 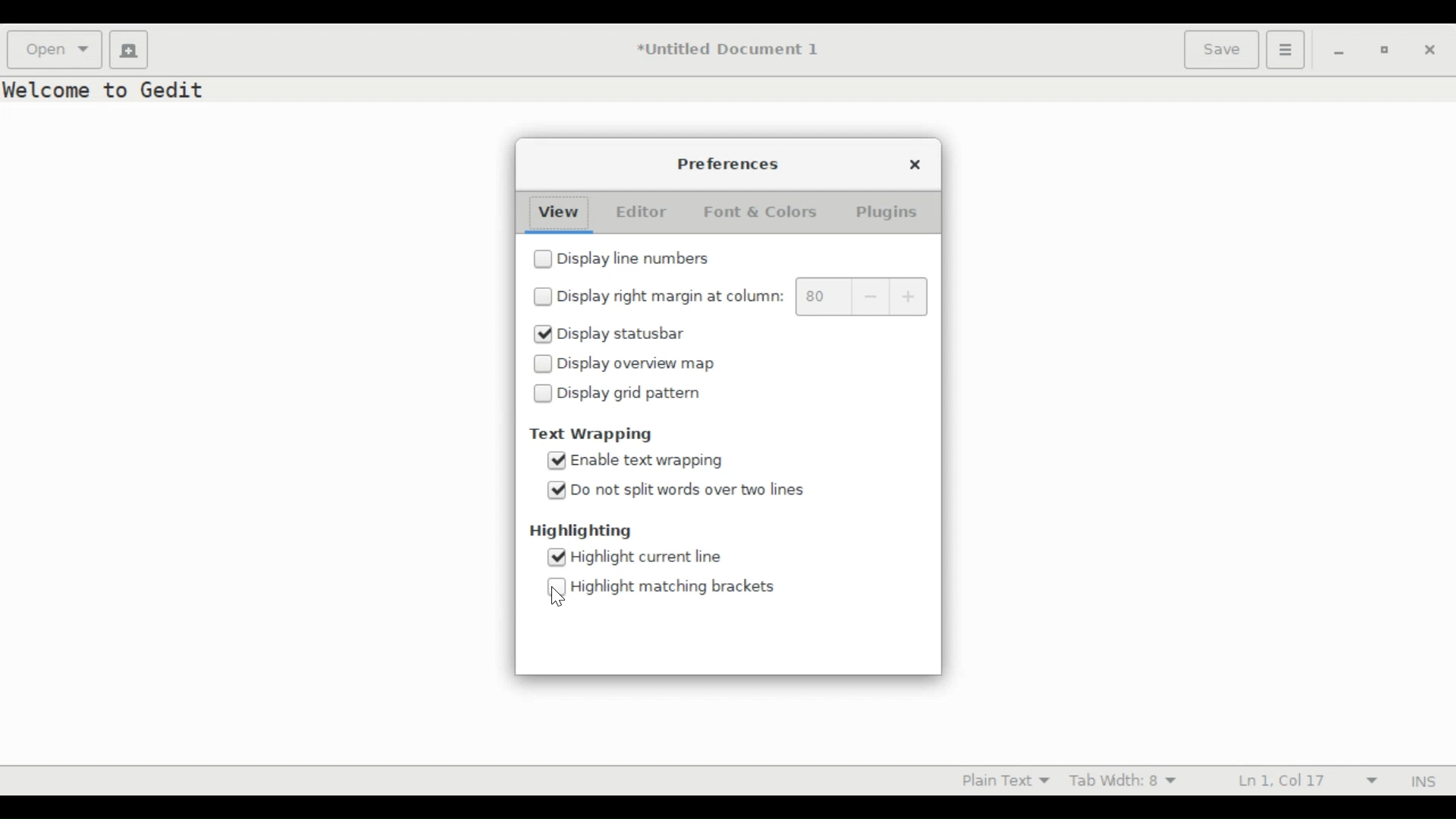 I want to click on Display overview map, so click(x=645, y=363).